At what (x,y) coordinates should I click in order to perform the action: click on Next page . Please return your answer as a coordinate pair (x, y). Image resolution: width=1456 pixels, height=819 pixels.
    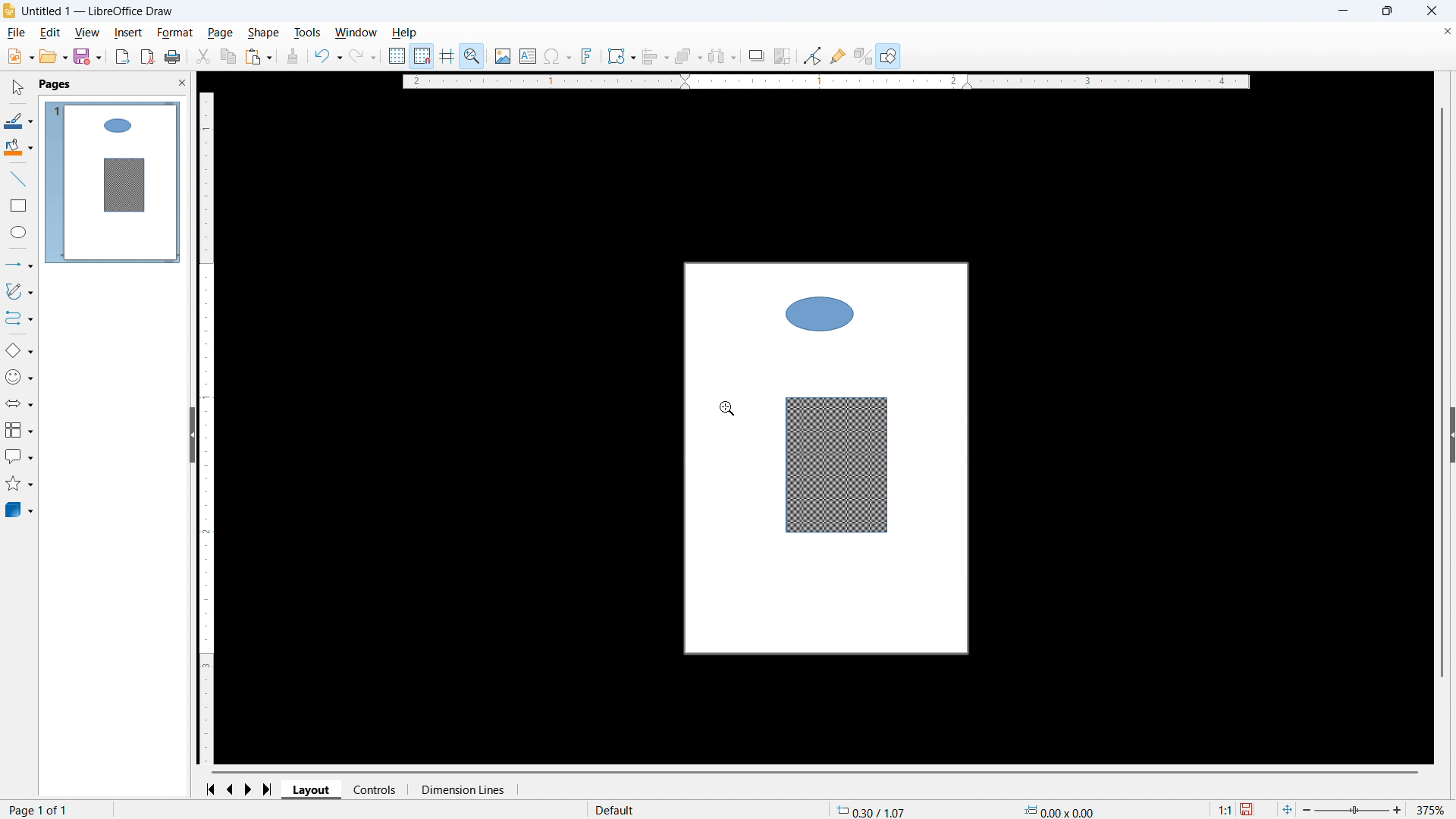
    Looking at the image, I should click on (251, 789).